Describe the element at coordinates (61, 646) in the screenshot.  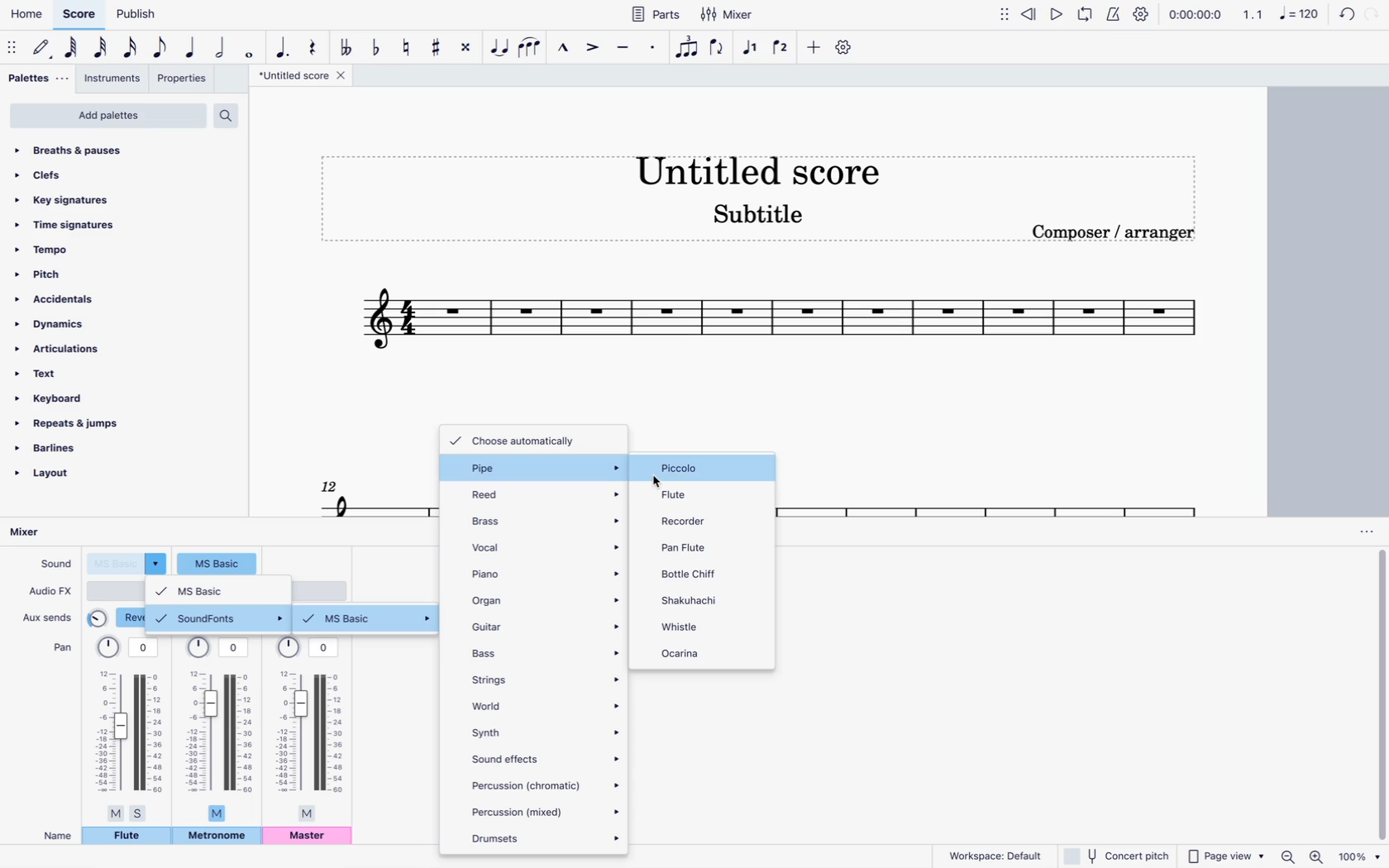
I see `pan` at that location.